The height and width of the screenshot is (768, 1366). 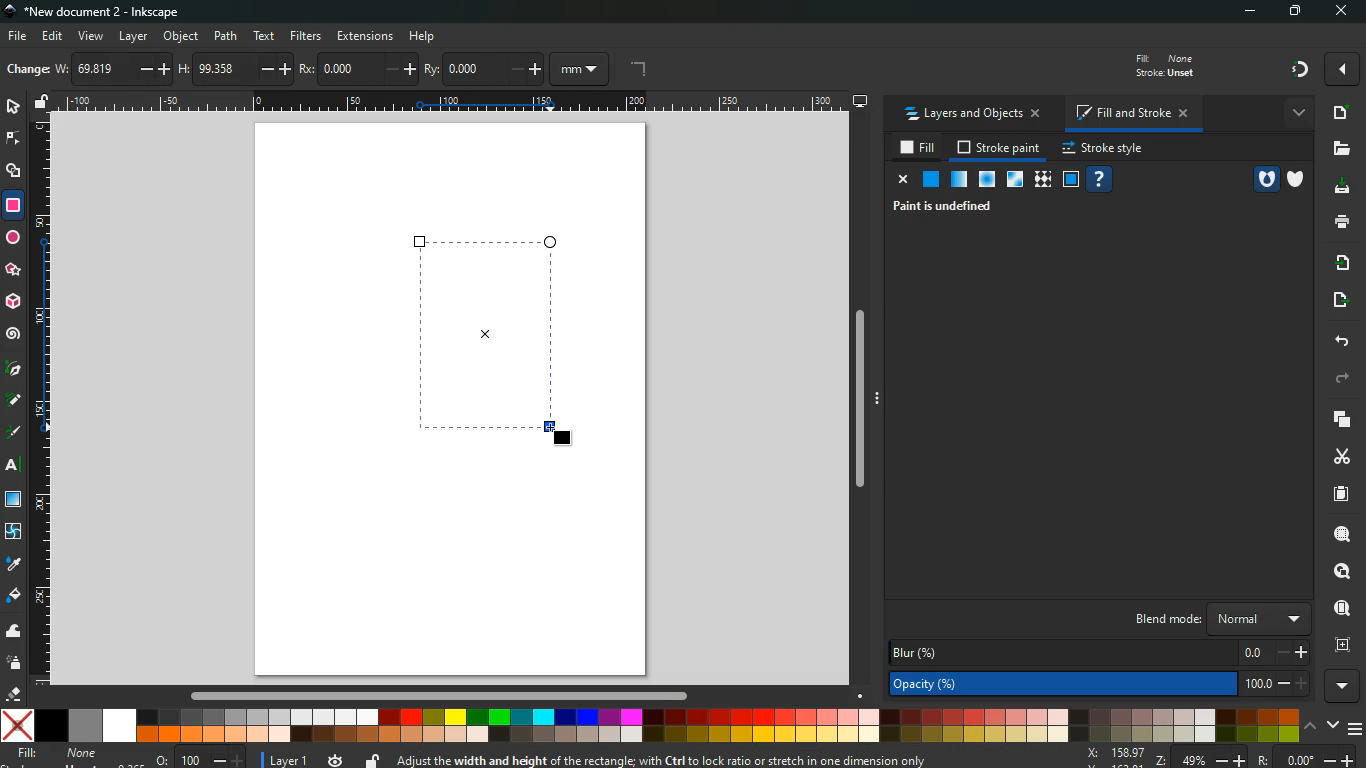 I want to click on close, so click(x=901, y=181).